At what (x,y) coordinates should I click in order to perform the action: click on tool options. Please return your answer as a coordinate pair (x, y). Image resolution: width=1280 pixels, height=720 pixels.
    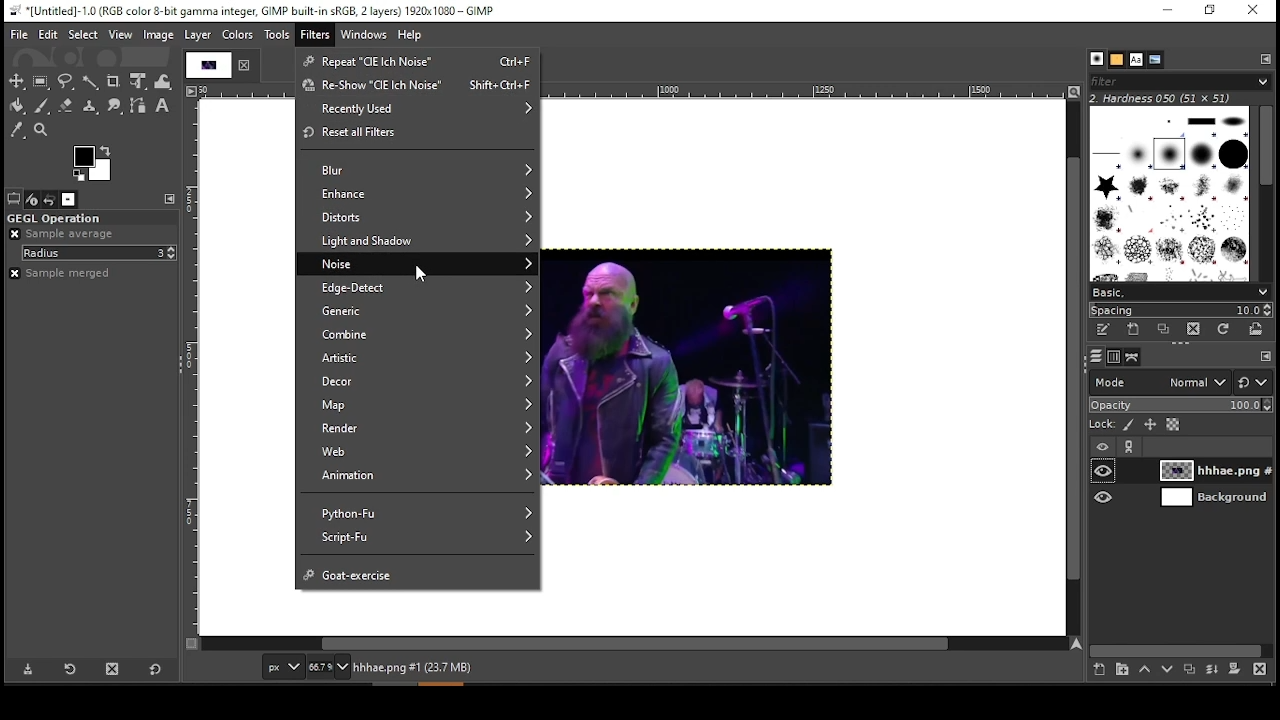
    Looking at the image, I should click on (12, 199).